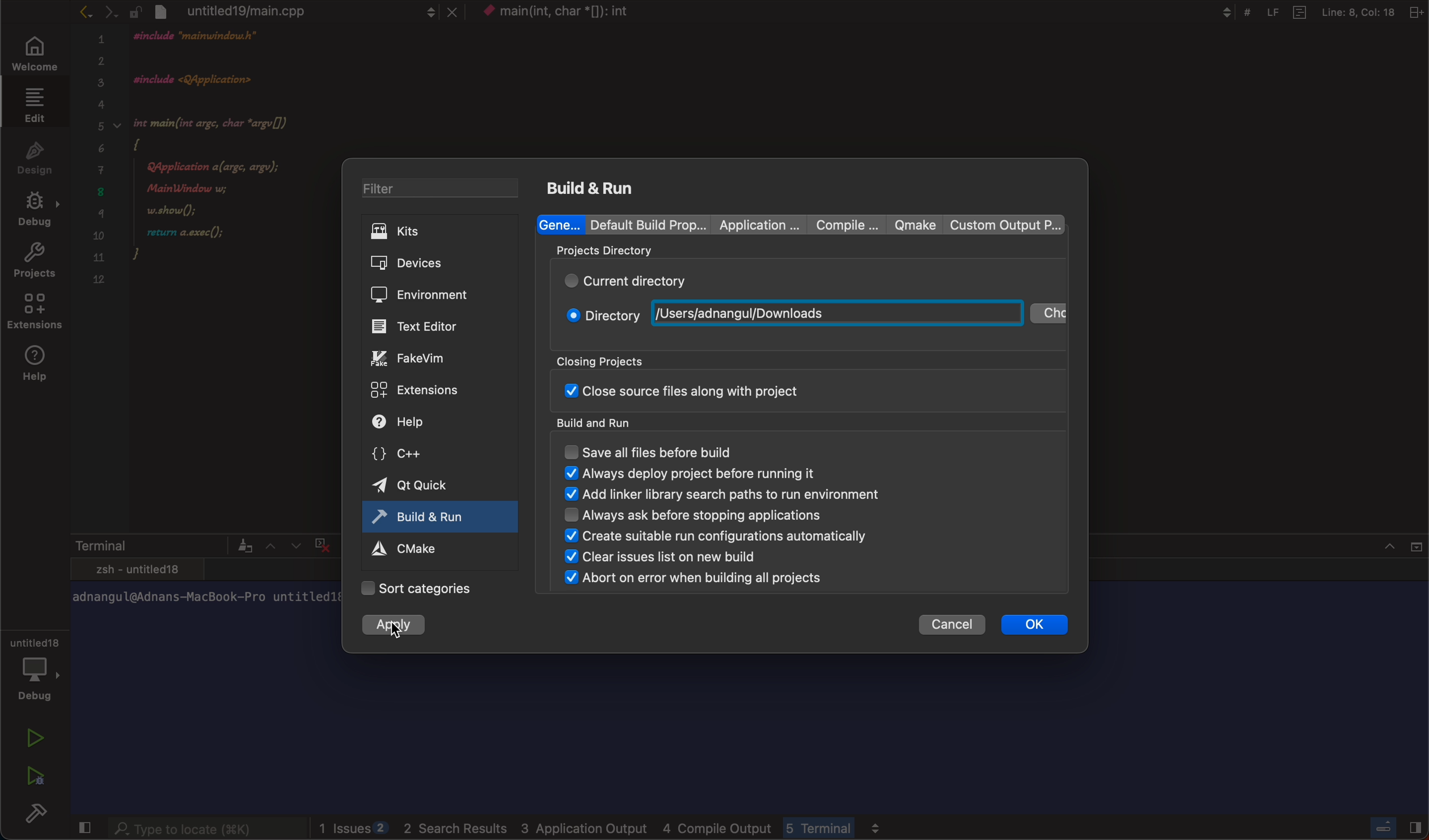 This screenshot has height=840, width=1429. What do you see at coordinates (692, 390) in the screenshot?
I see `close sourse file` at bounding box center [692, 390].